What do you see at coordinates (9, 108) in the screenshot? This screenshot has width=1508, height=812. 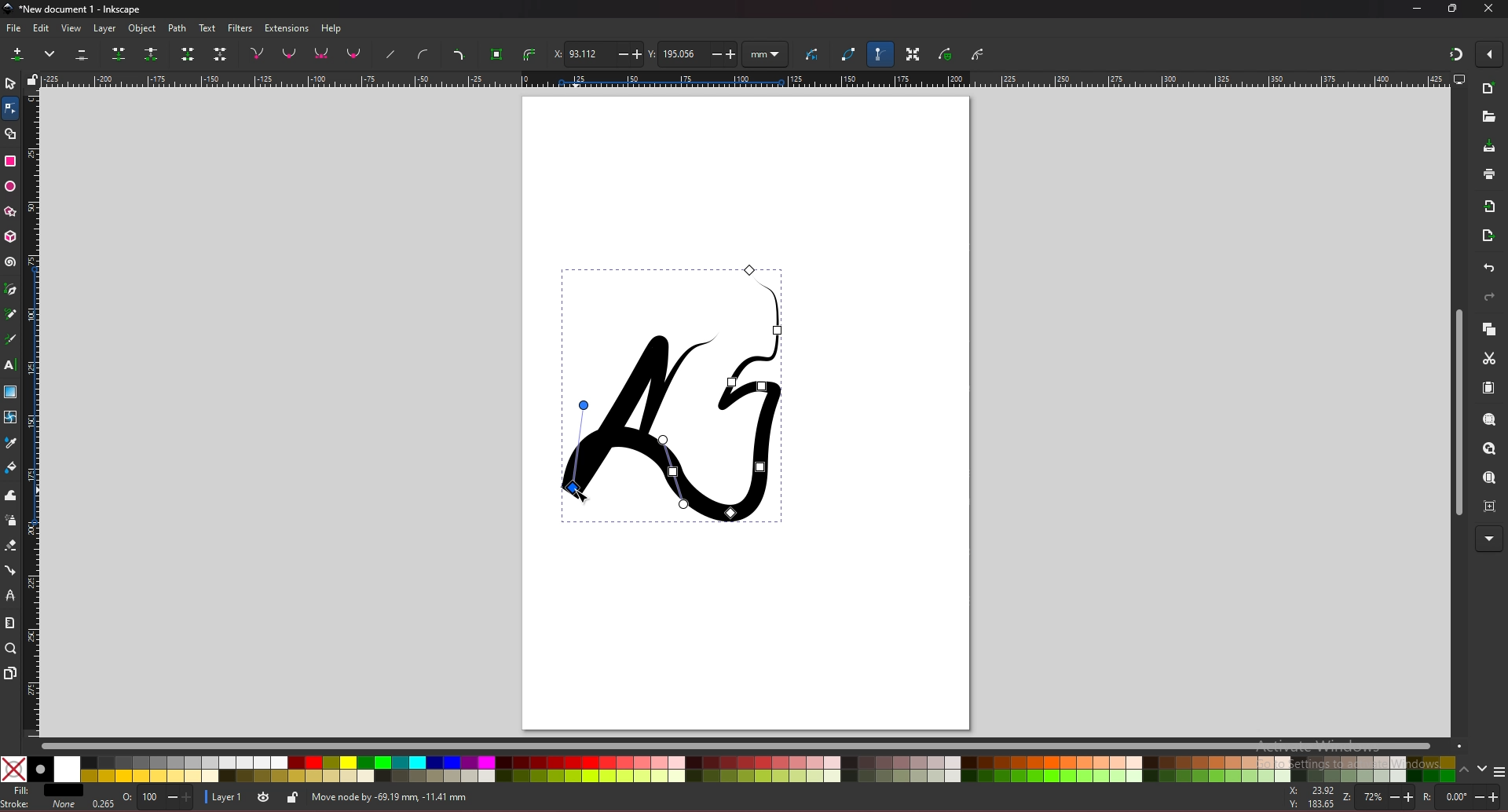 I see `node` at bounding box center [9, 108].